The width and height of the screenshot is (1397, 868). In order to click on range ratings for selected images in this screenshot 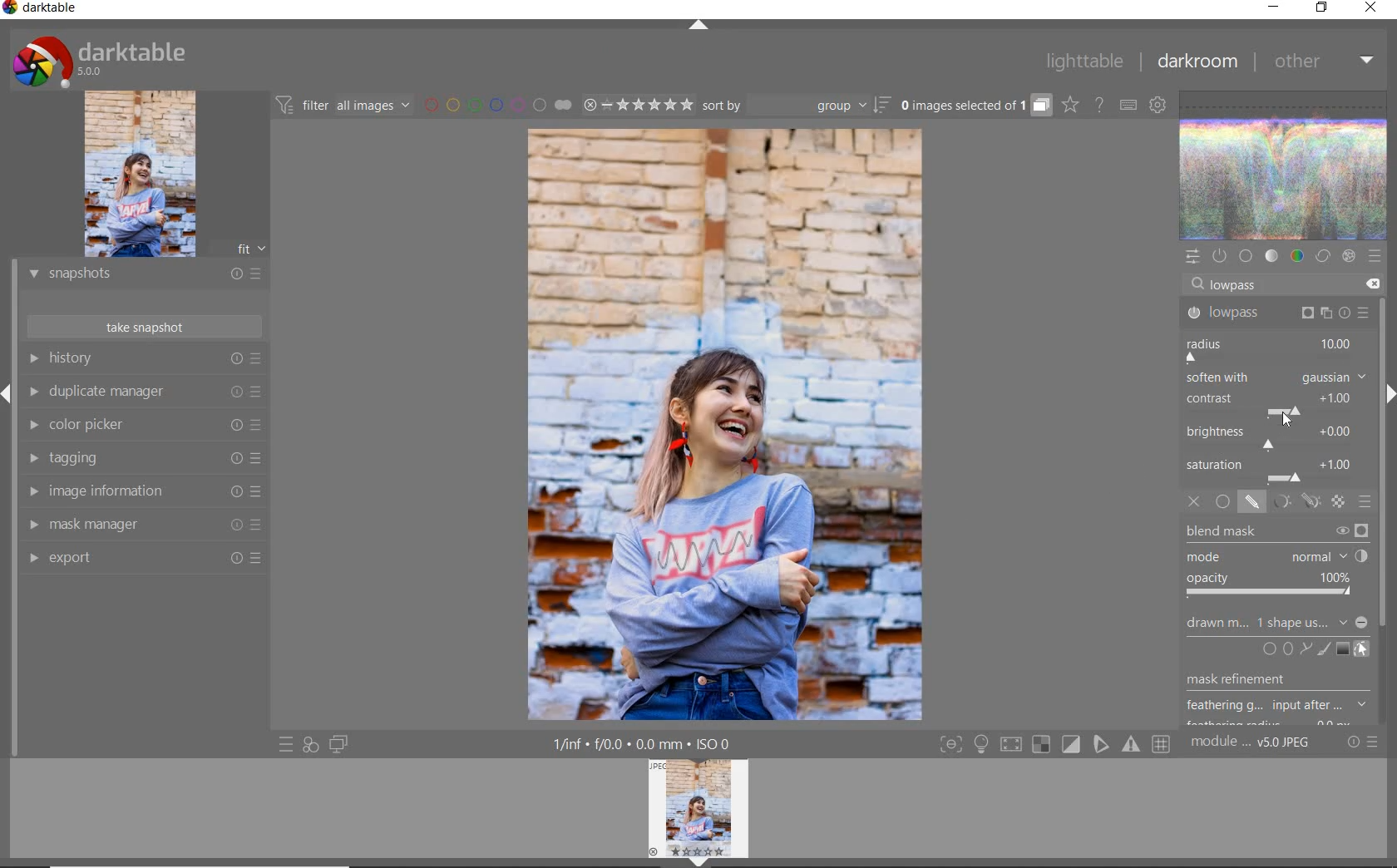, I will do `click(638, 104)`.